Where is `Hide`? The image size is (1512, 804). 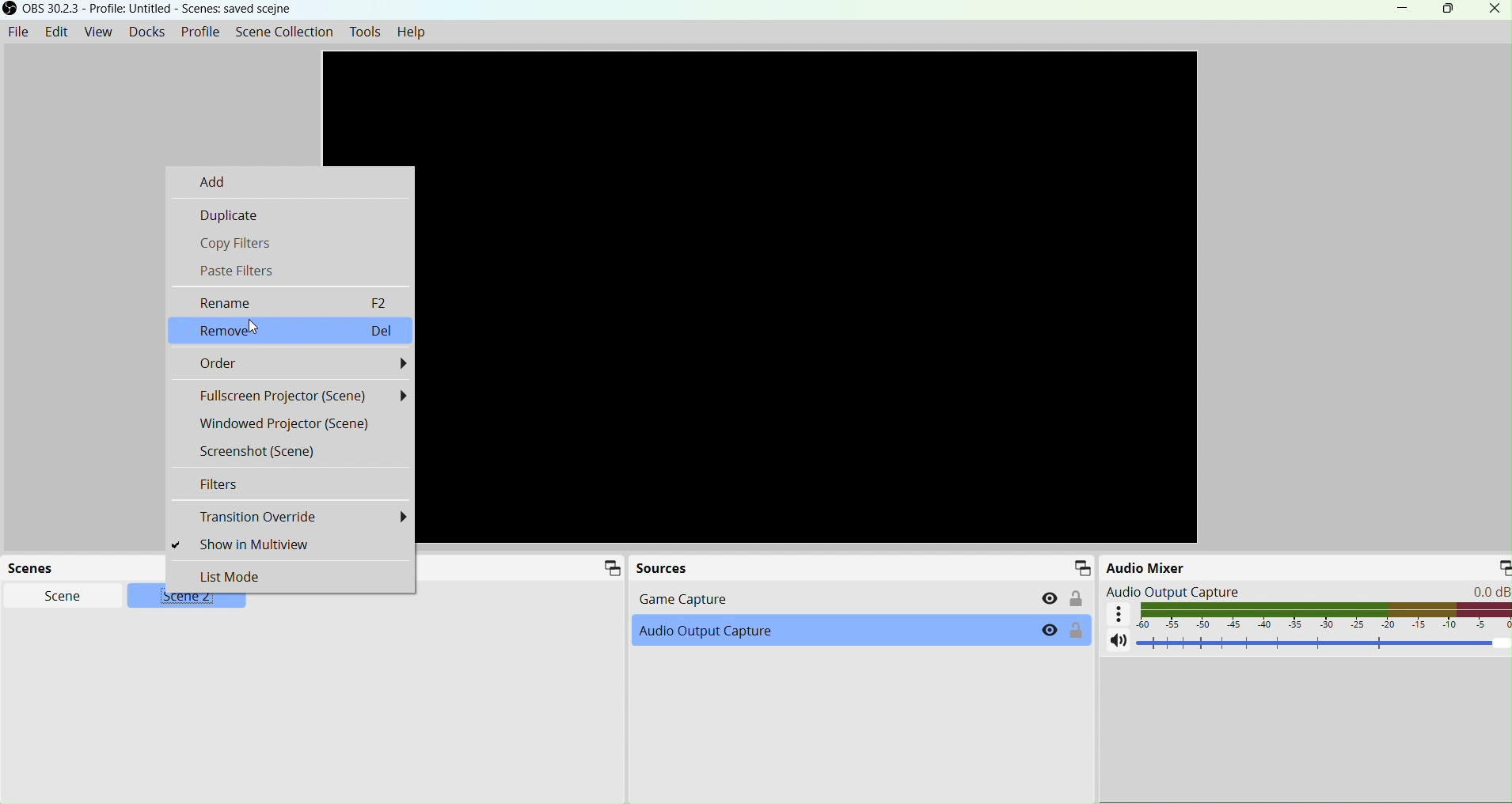
Hide is located at coordinates (1050, 631).